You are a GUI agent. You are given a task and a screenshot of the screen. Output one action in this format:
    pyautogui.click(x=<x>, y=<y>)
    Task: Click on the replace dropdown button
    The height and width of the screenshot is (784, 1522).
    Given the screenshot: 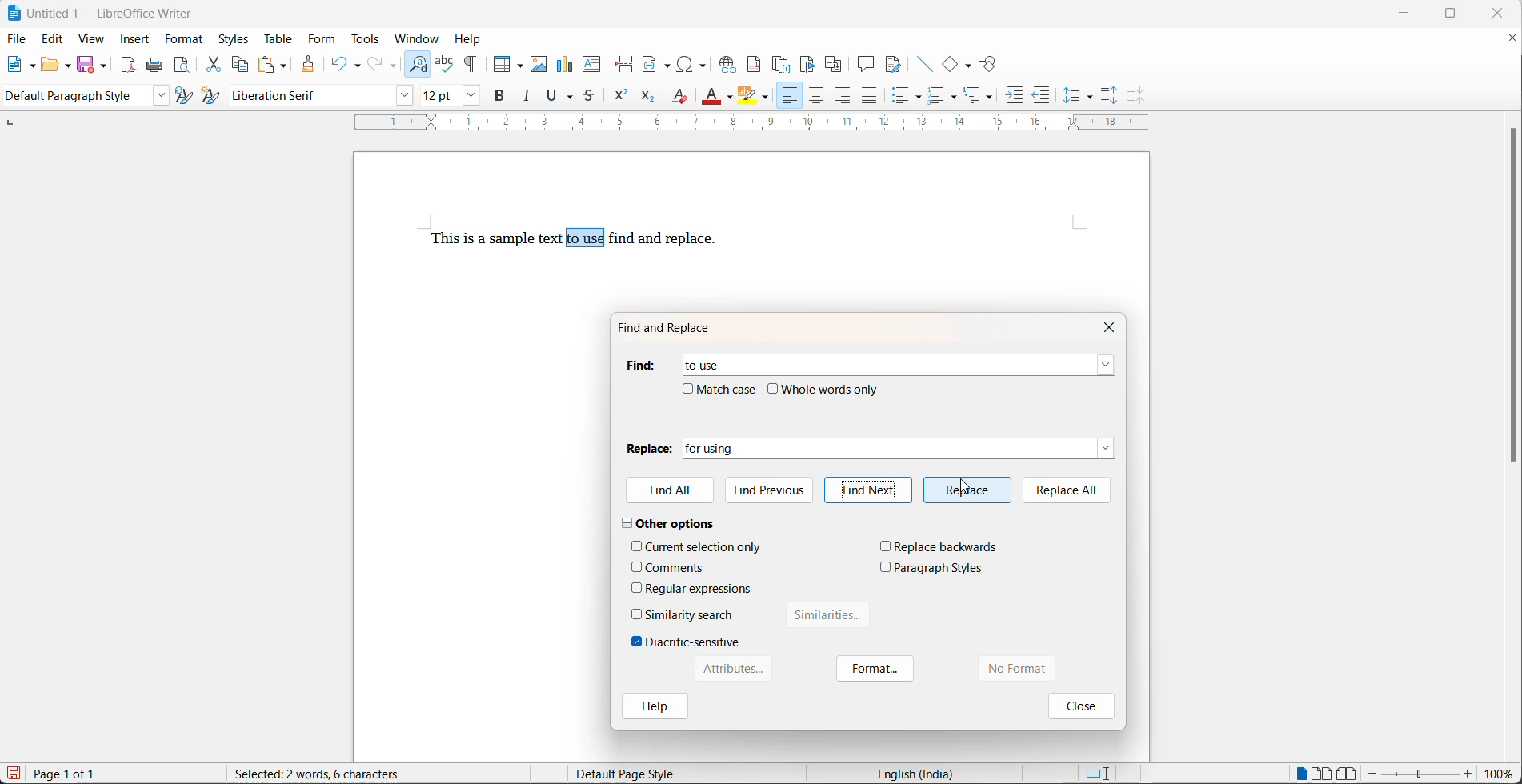 What is the action you would take?
    pyautogui.click(x=1107, y=446)
    